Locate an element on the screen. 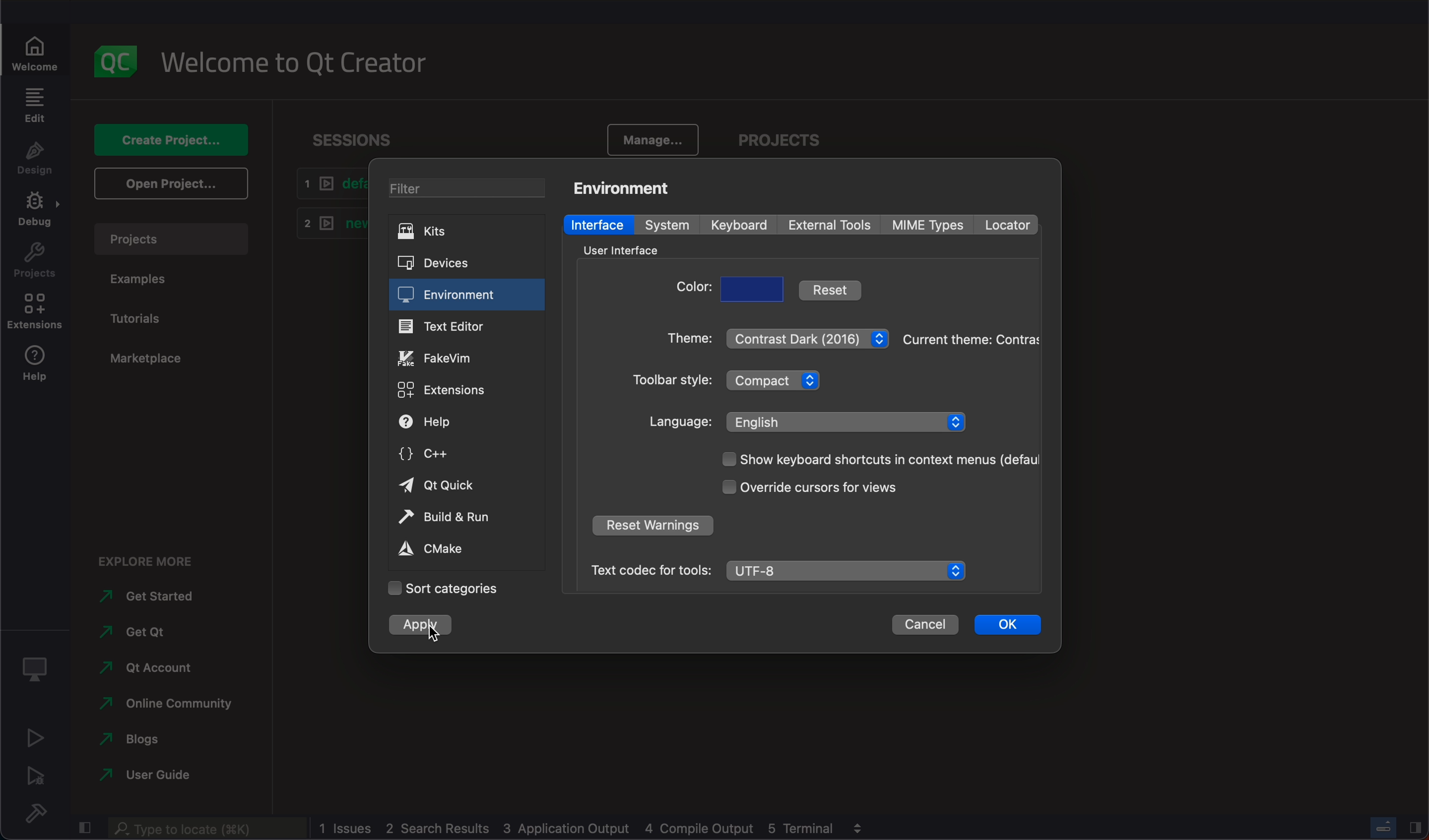 The image size is (1429, 840). cursor is located at coordinates (441, 628).